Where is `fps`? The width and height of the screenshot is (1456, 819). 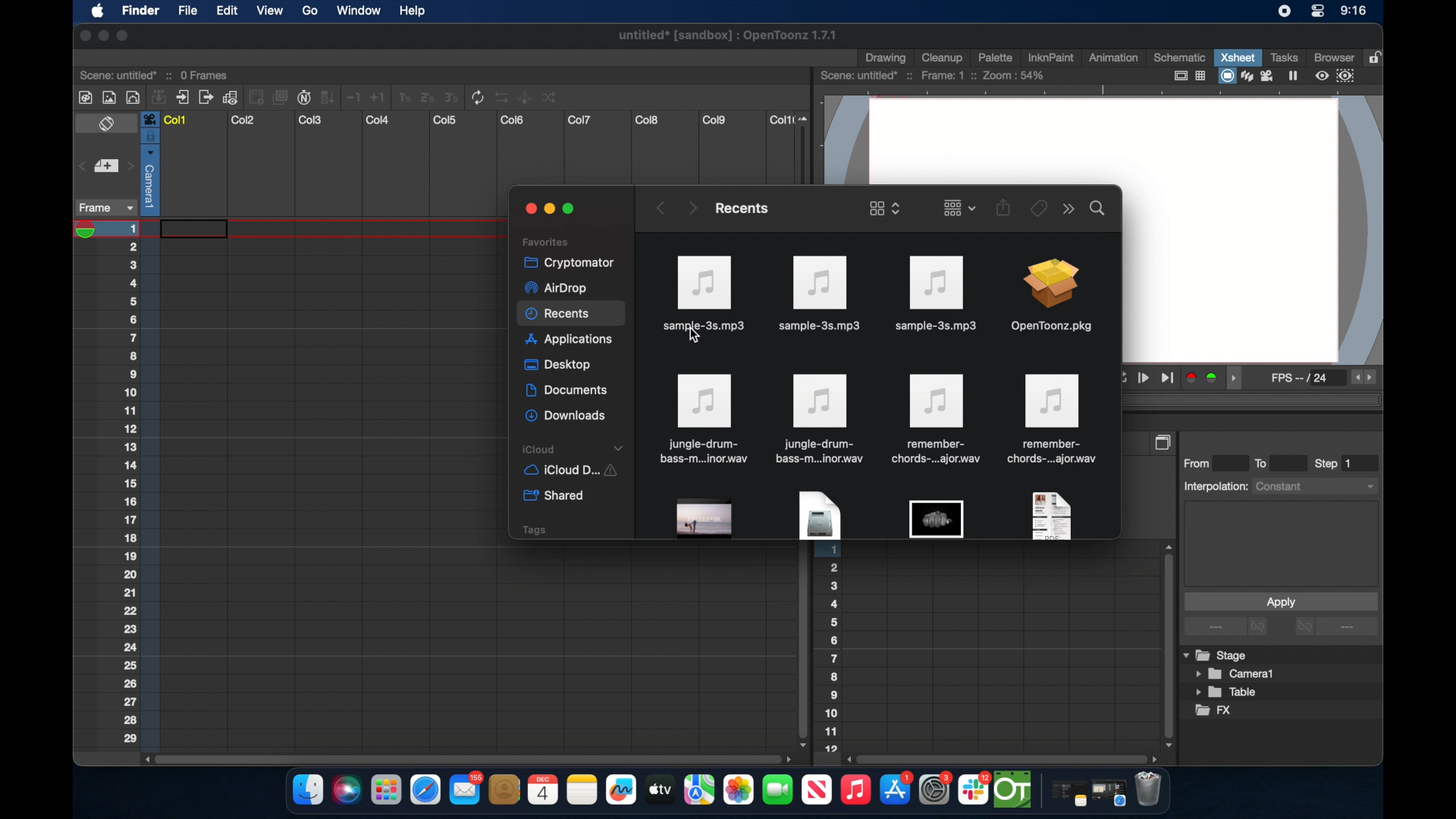
fps is located at coordinates (1365, 378).